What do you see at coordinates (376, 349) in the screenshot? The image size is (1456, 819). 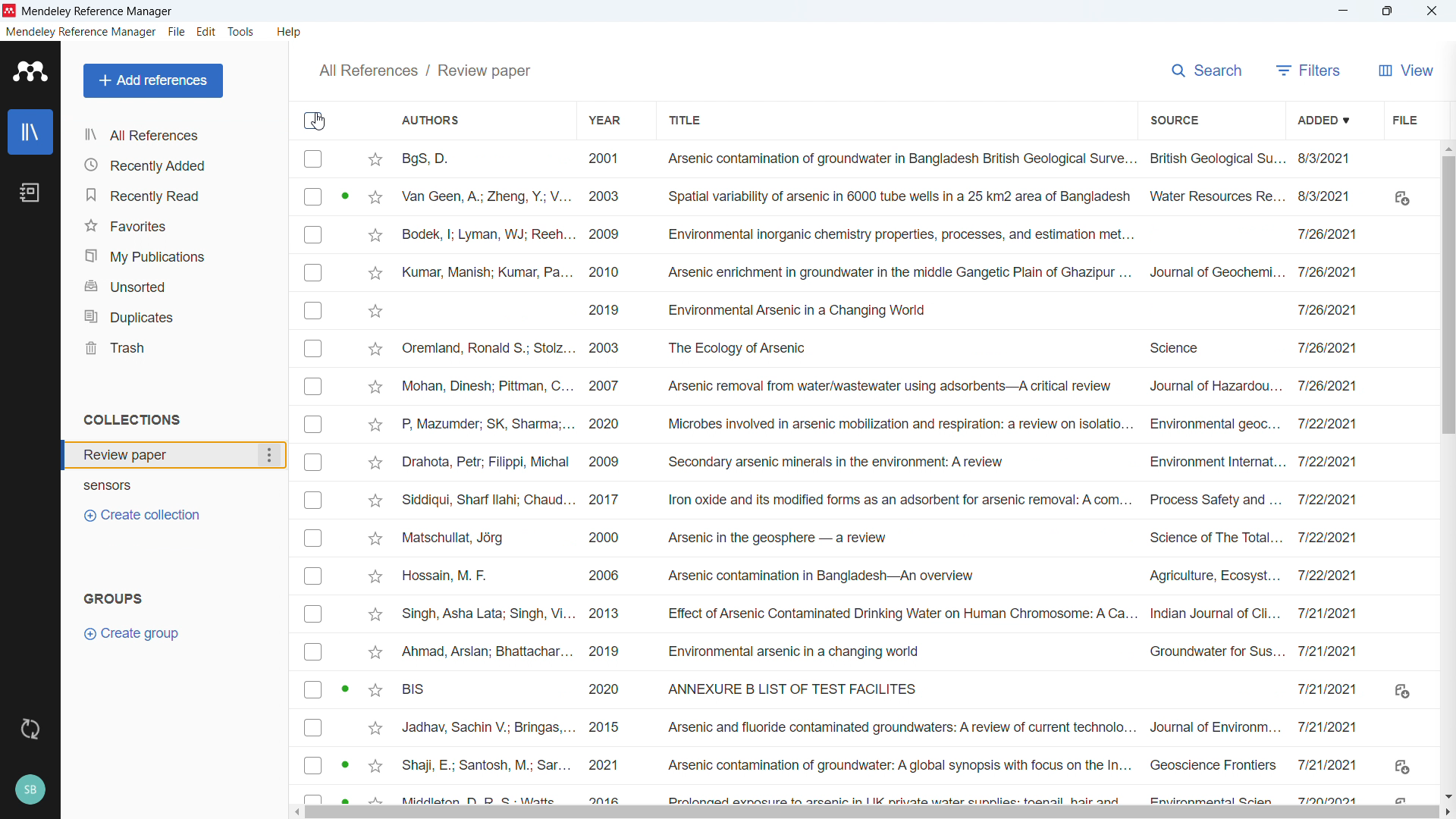 I see `Star mark respective publication` at bounding box center [376, 349].